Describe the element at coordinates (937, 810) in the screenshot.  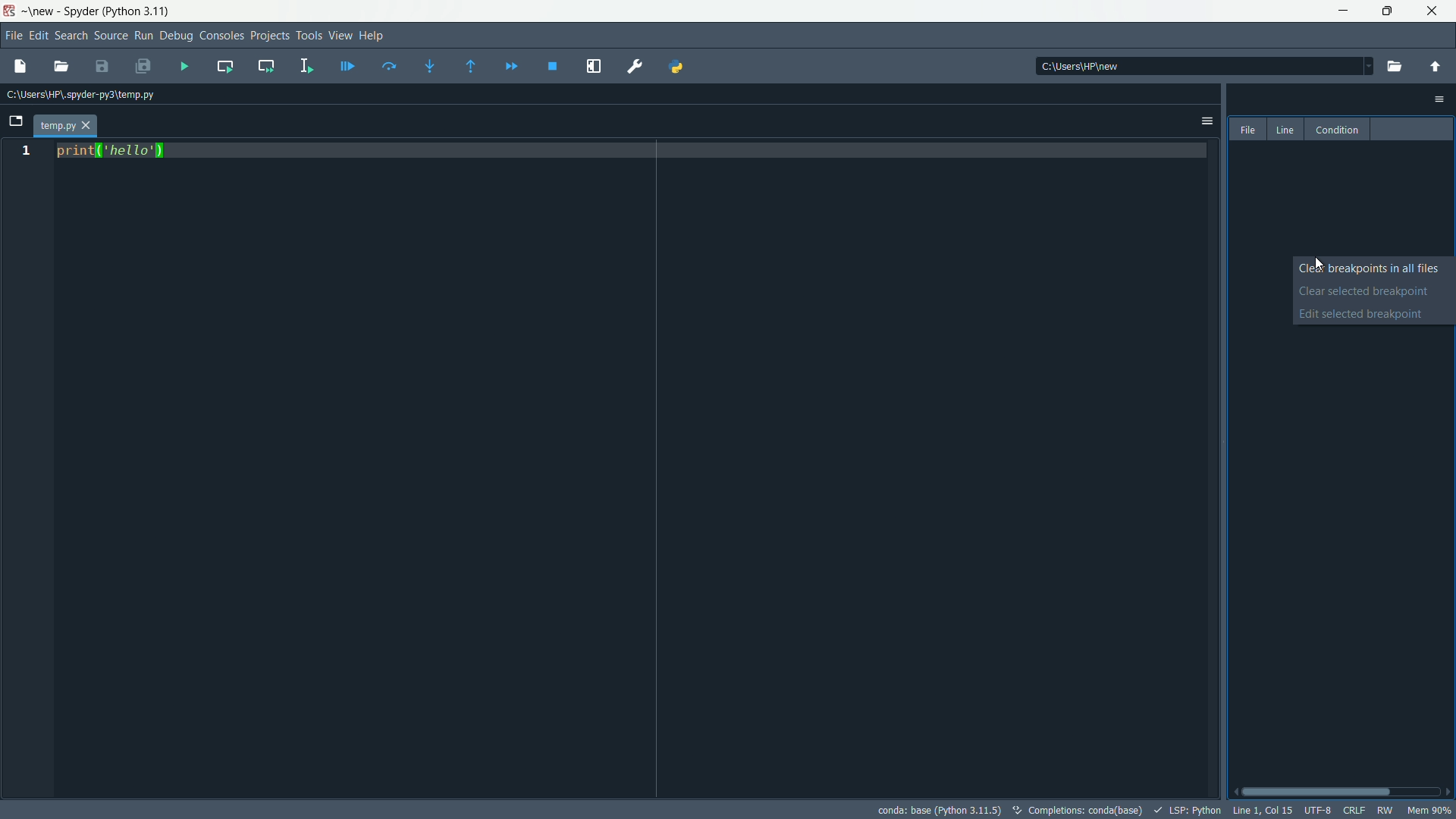
I see `conda: base (Python 3.11.5)` at that location.